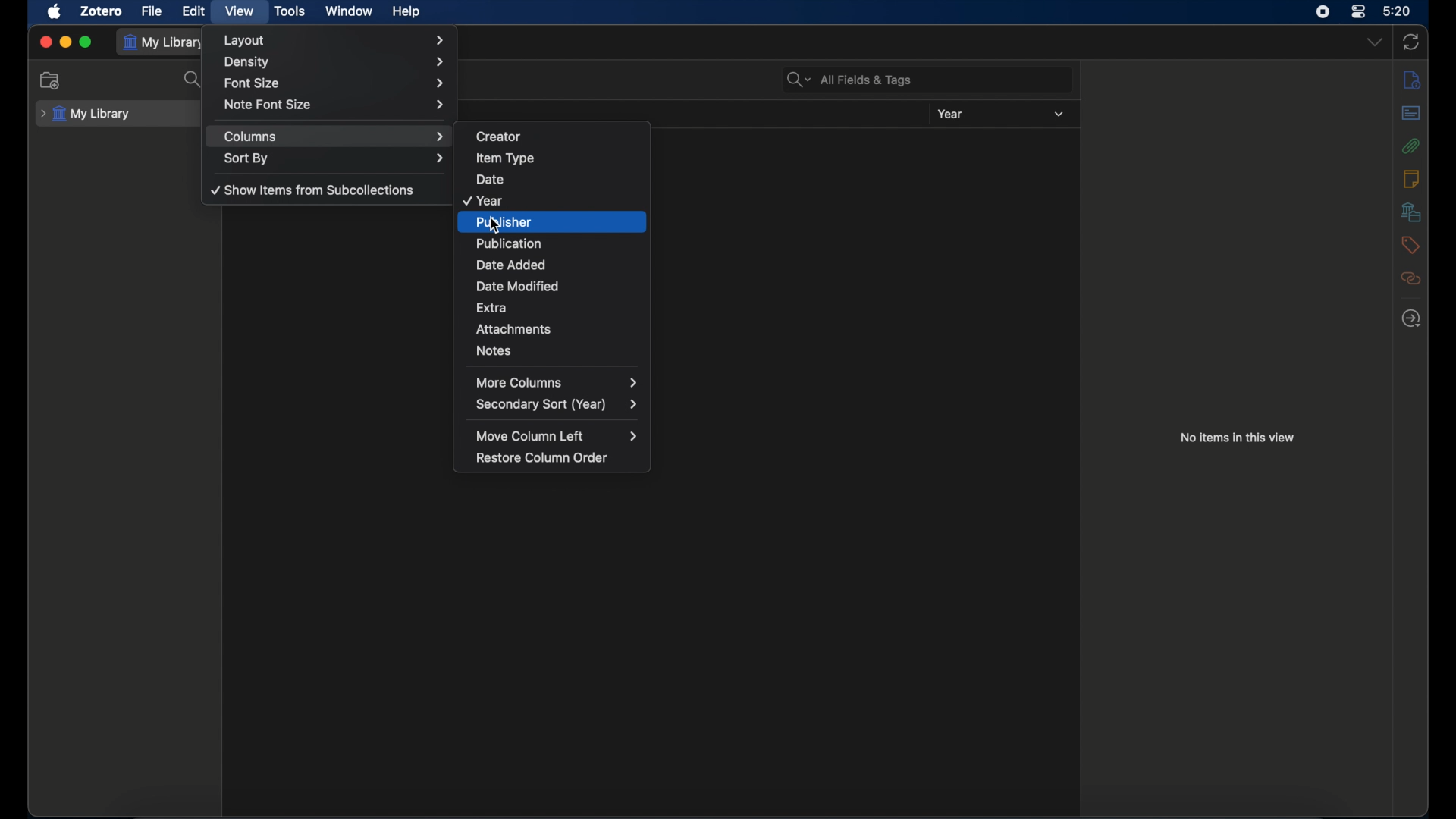 The image size is (1456, 819). I want to click on layout, so click(334, 40).